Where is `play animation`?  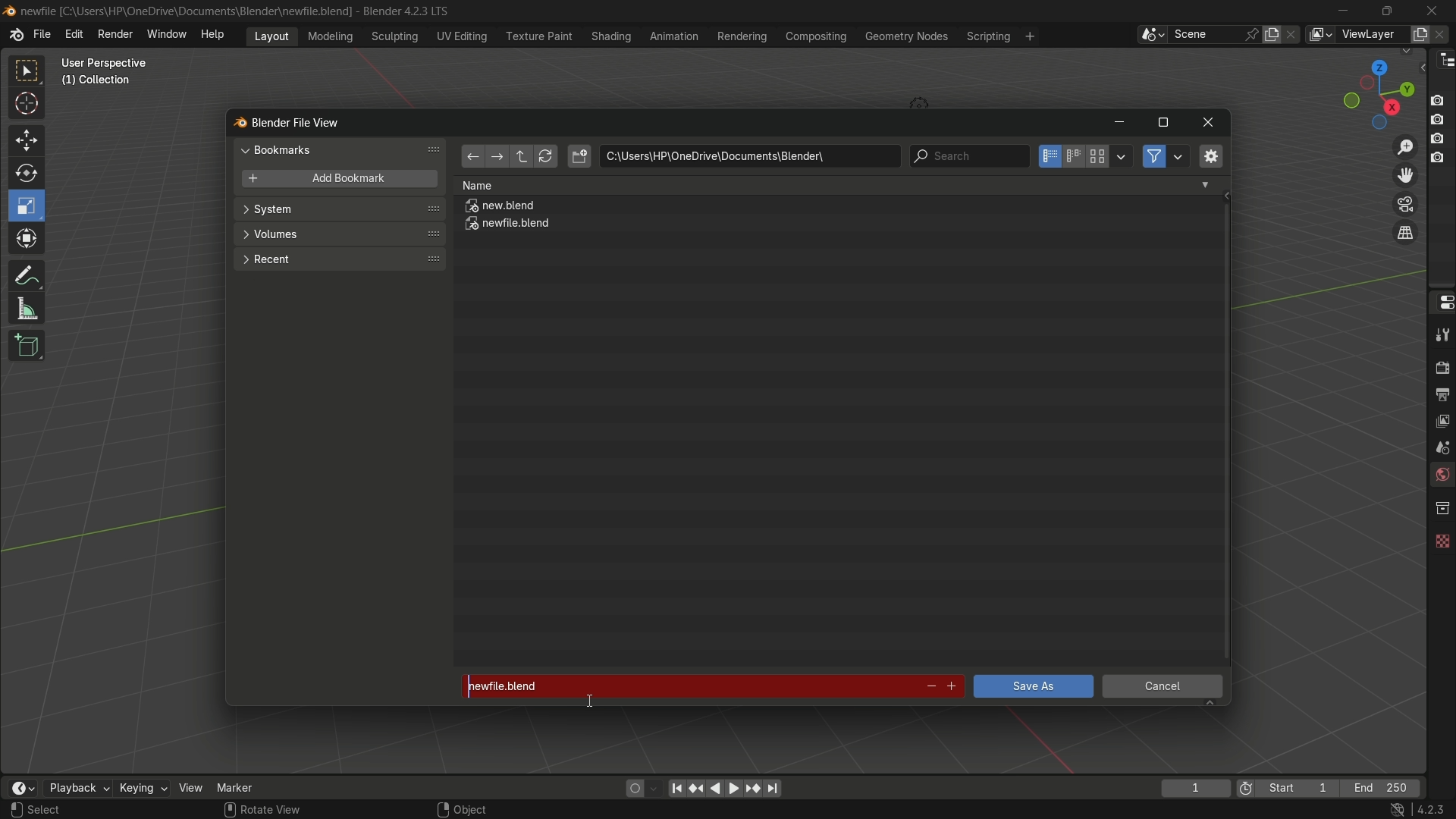 play animation is located at coordinates (725, 788).